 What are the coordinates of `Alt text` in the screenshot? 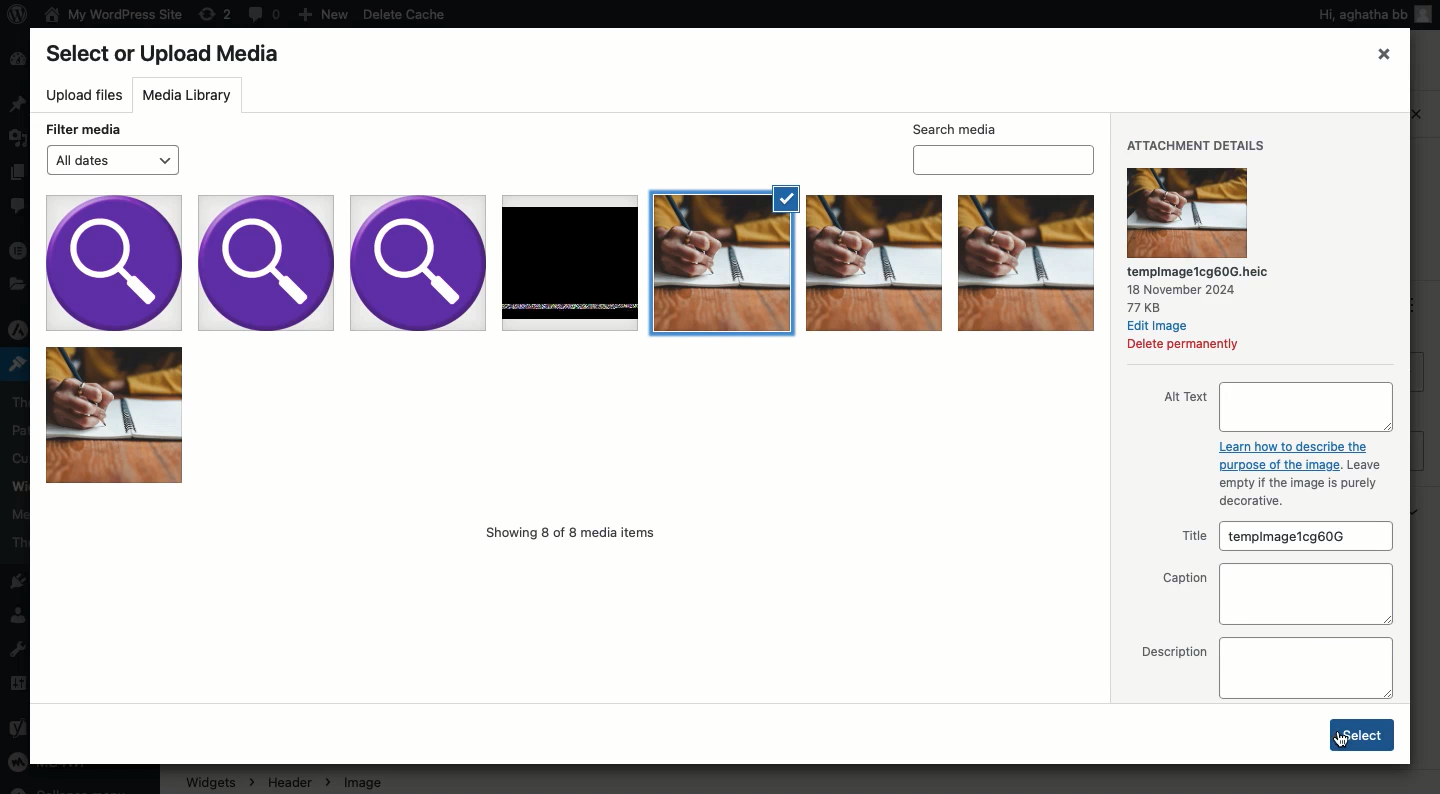 It's located at (1275, 407).